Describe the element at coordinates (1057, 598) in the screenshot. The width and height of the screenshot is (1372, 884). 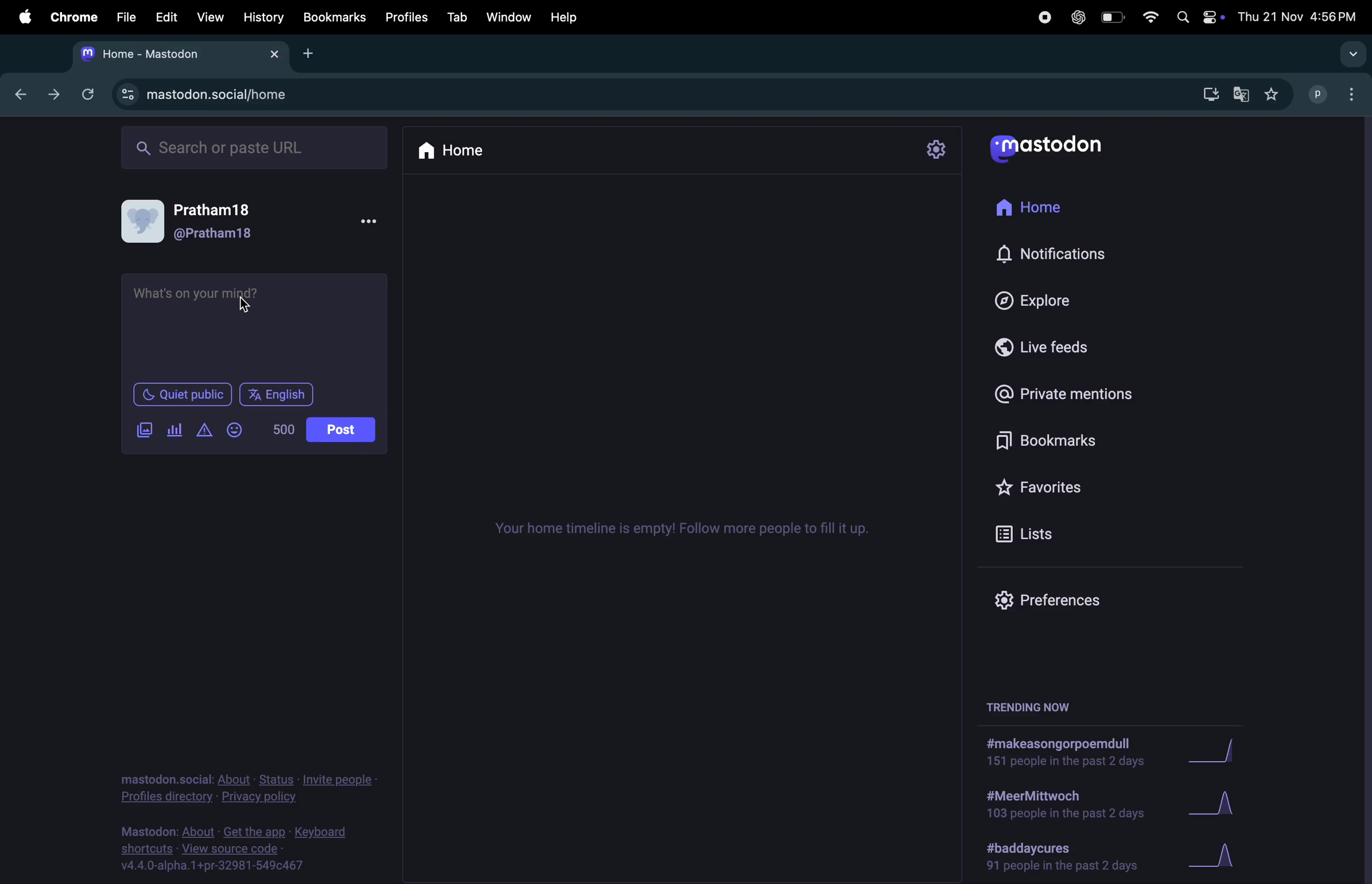
I see `prefrences` at that location.